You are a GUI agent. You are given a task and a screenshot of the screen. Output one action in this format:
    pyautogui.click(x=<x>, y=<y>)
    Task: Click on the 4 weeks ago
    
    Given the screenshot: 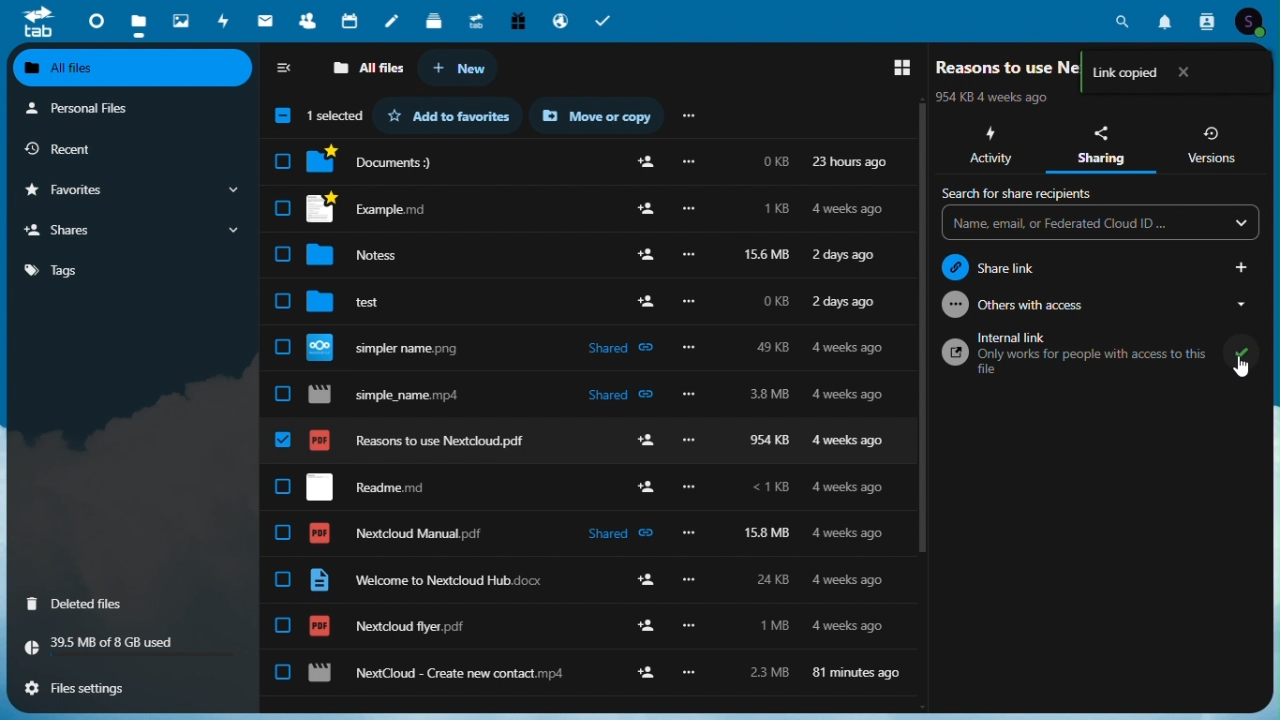 What is the action you would take?
    pyautogui.click(x=851, y=349)
    